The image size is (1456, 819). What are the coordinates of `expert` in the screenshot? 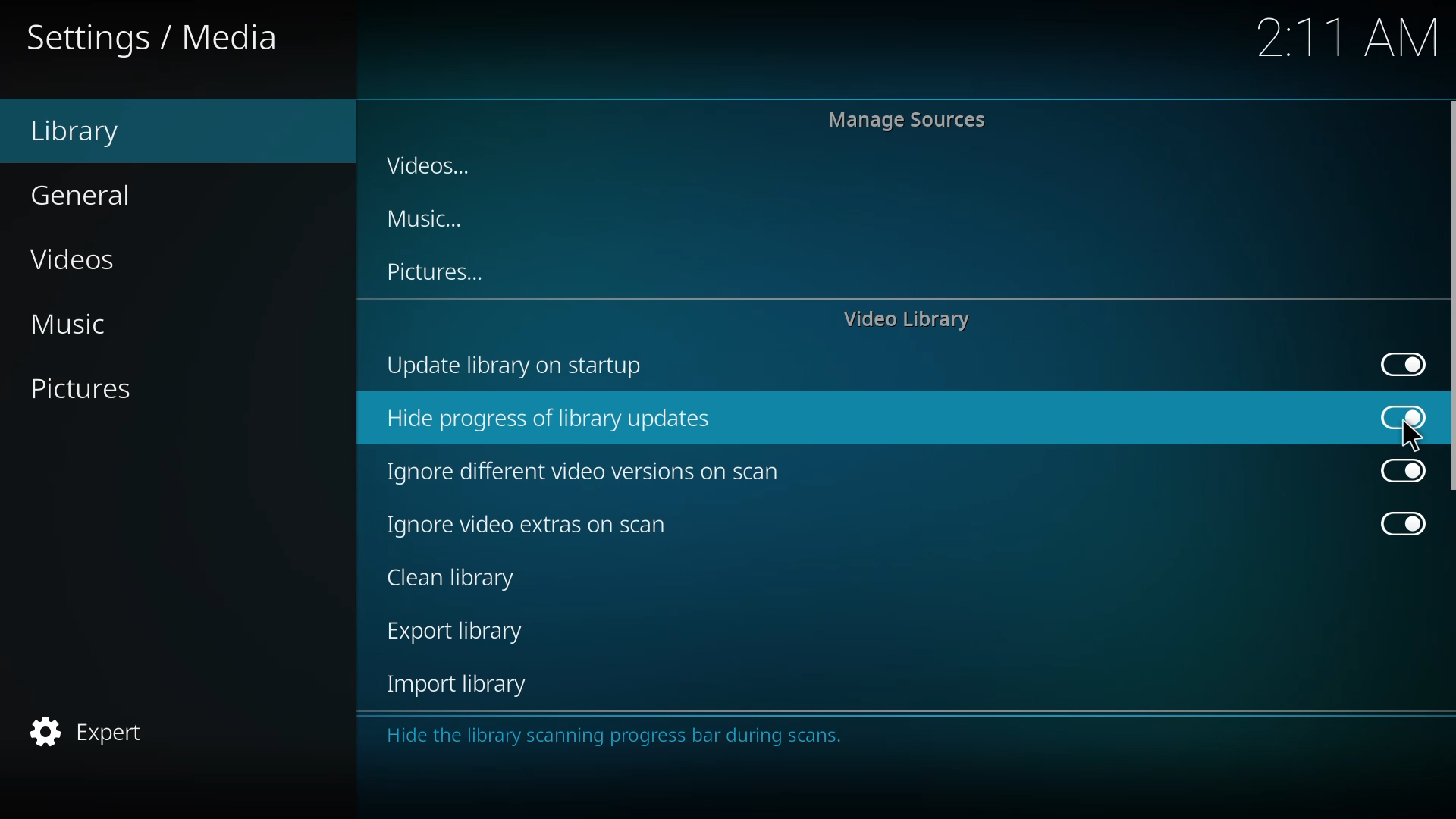 It's located at (88, 731).